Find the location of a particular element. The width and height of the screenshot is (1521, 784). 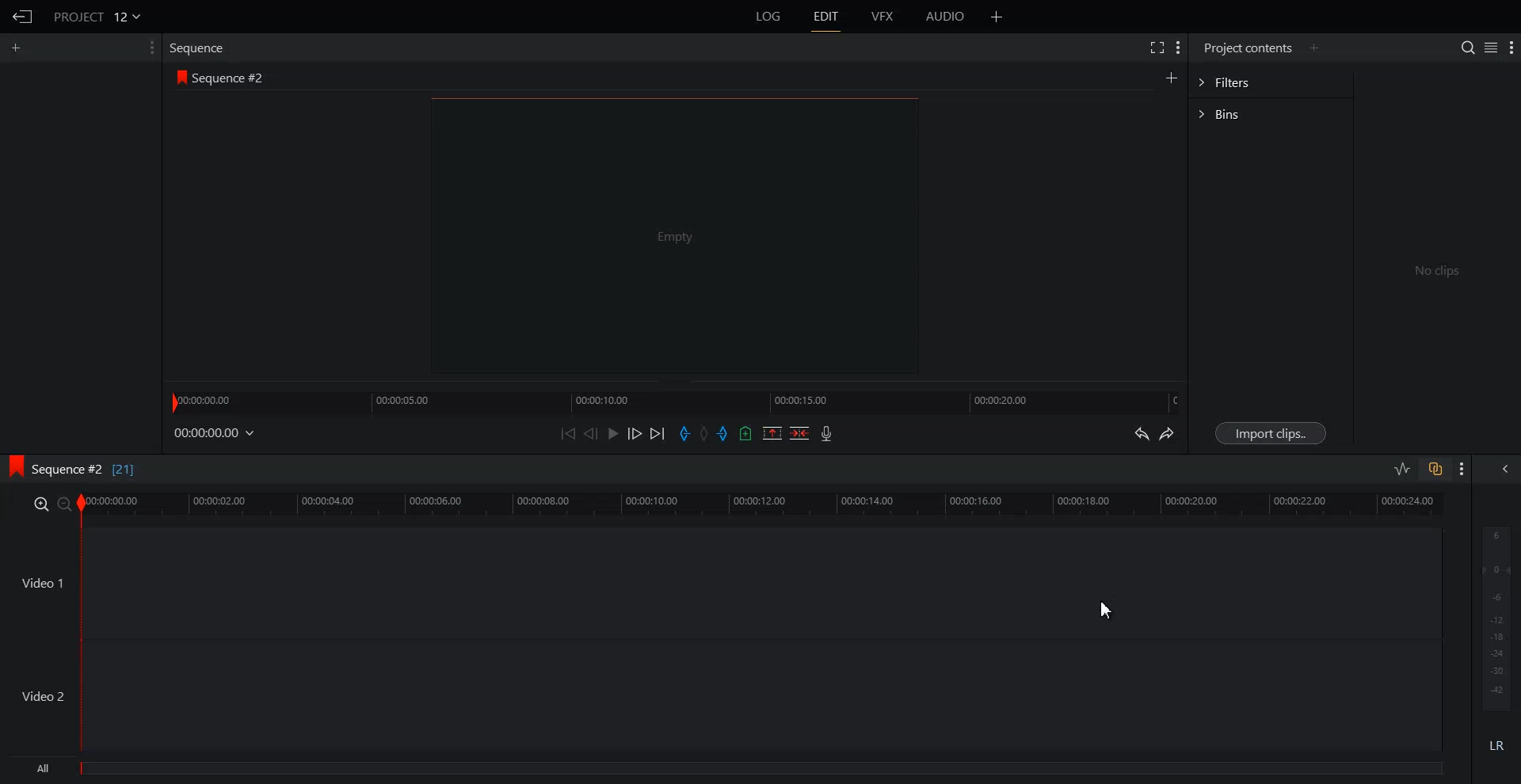

File Time is located at coordinates (215, 433).